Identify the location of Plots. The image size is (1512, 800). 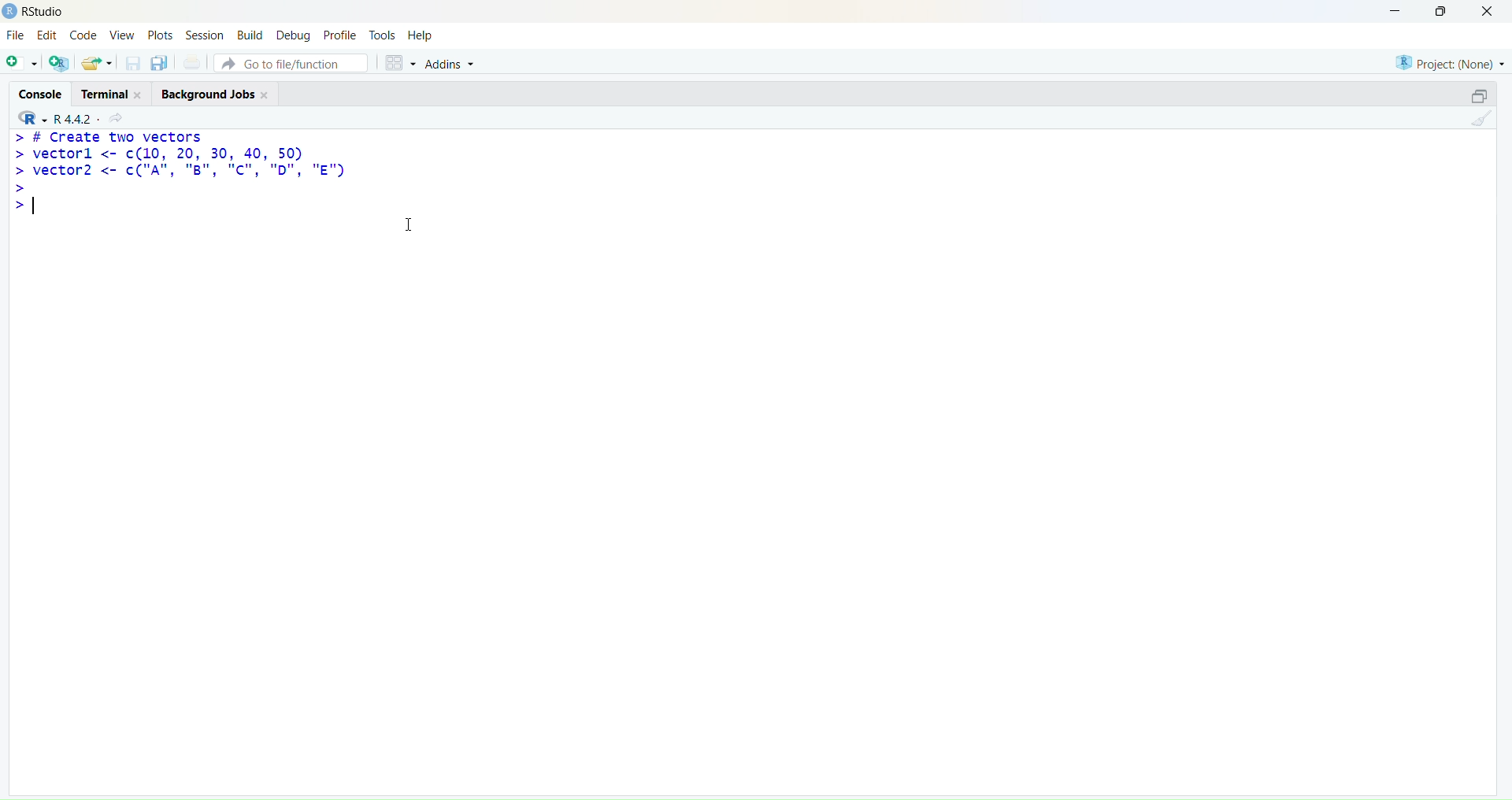
(160, 35).